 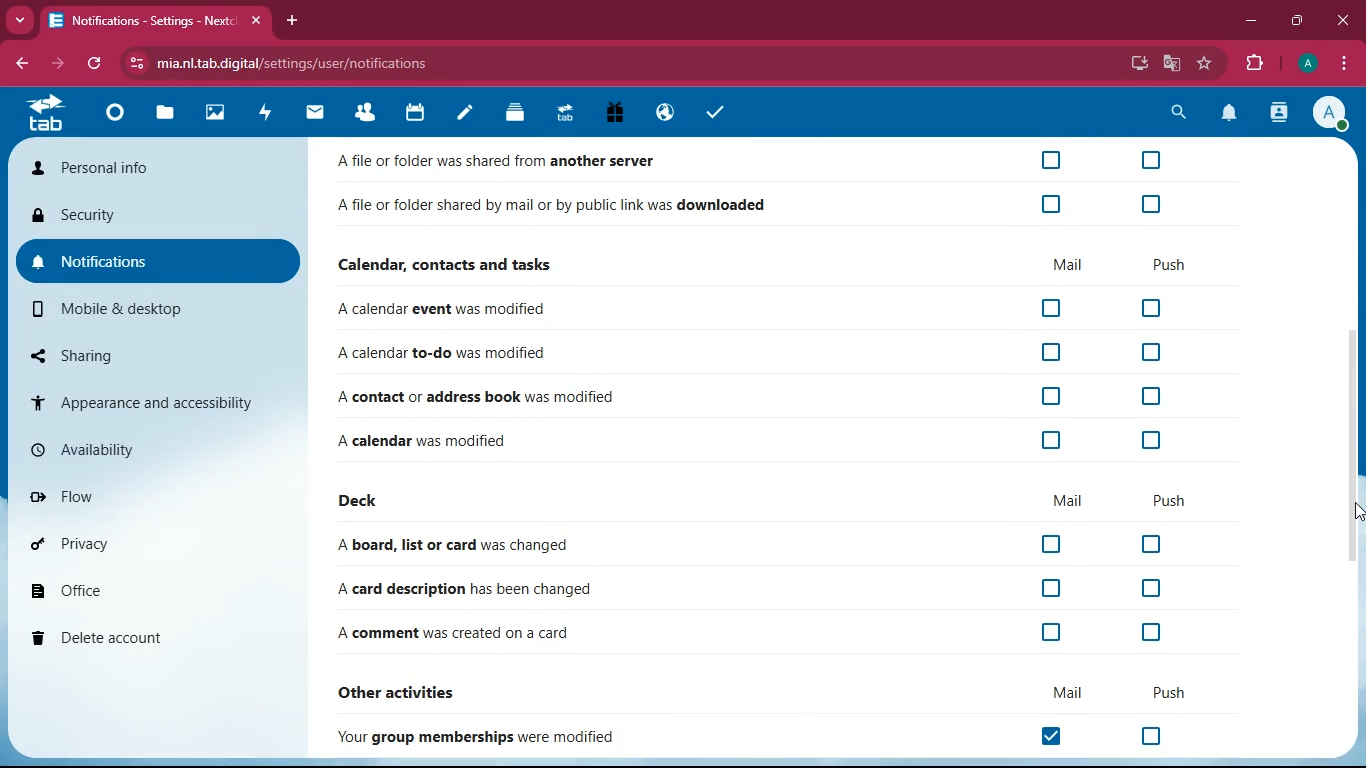 What do you see at coordinates (1149, 634) in the screenshot?
I see `off` at bounding box center [1149, 634].